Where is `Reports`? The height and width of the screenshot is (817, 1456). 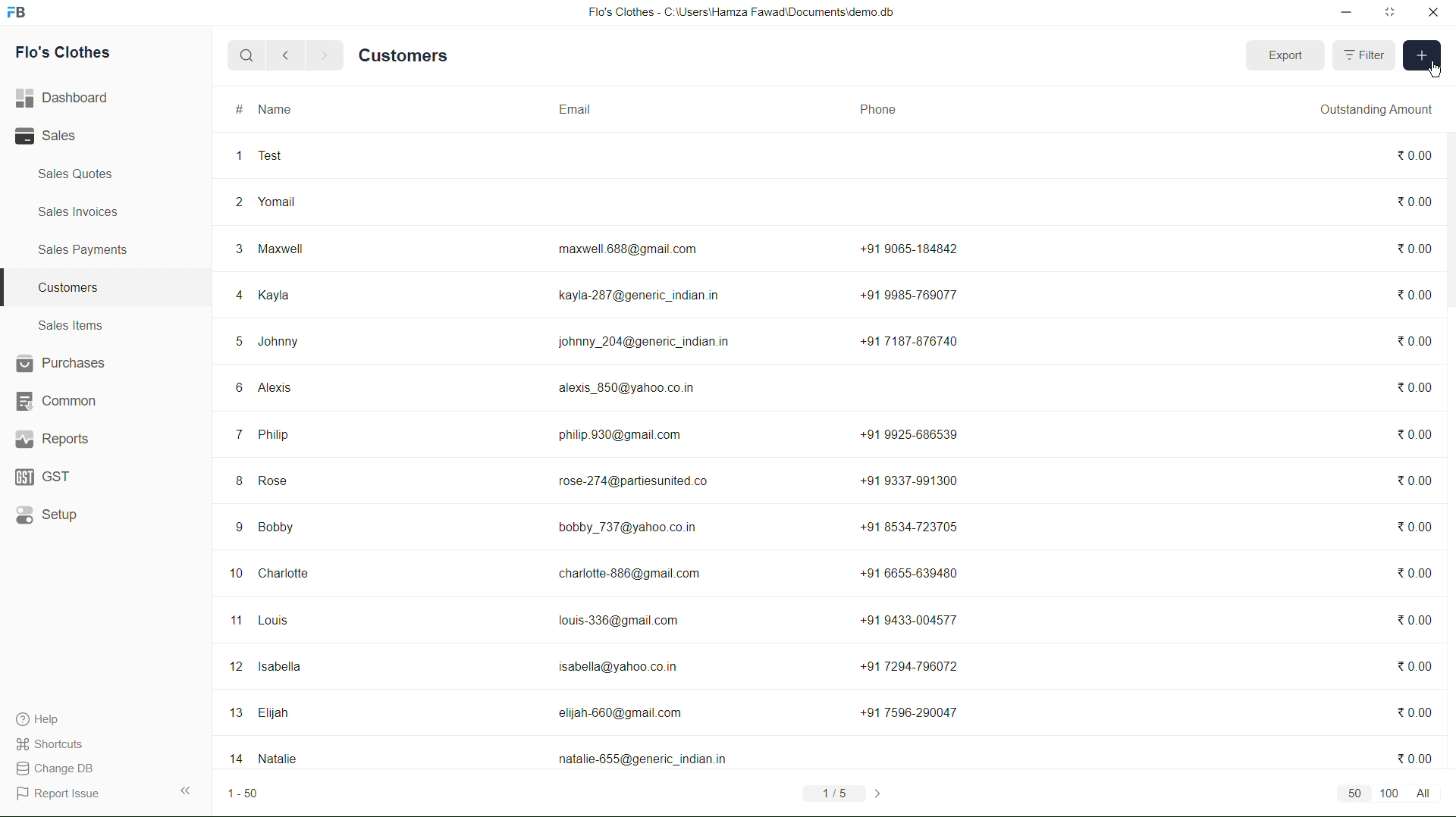
Reports is located at coordinates (53, 441).